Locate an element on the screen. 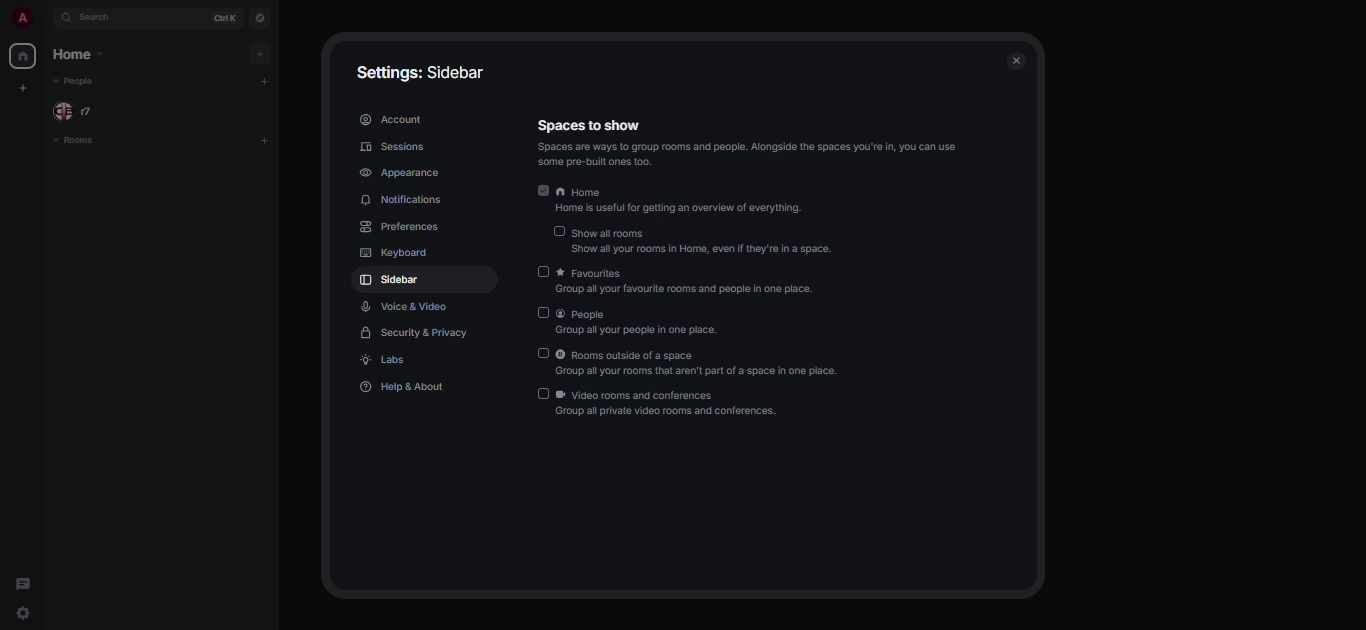 The height and width of the screenshot is (630, 1366). sidebar is located at coordinates (393, 279).